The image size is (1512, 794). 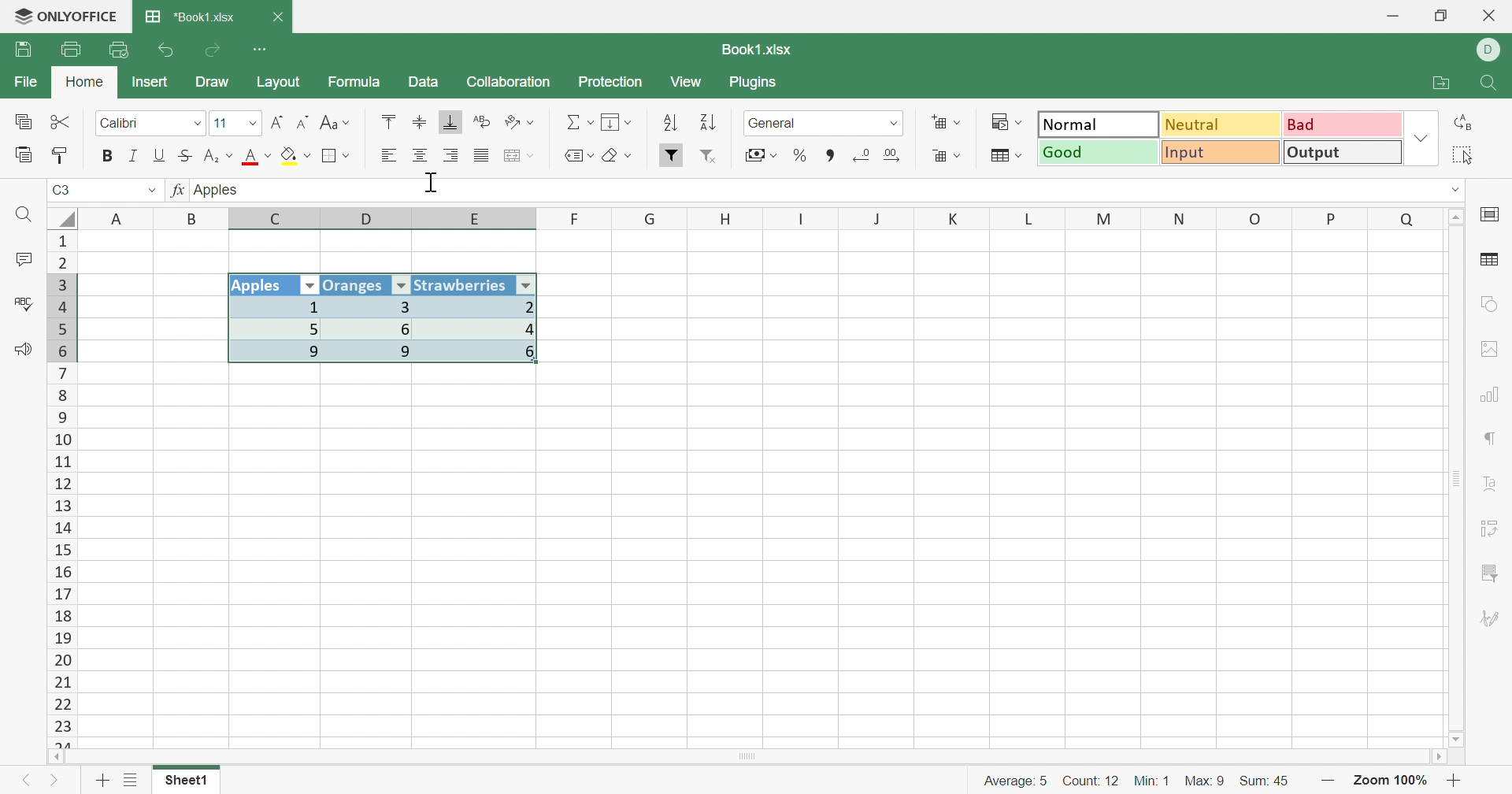 What do you see at coordinates (1495, 394) in the screenshot?
I see `Chart settings` at bounding box center [1495, 394].